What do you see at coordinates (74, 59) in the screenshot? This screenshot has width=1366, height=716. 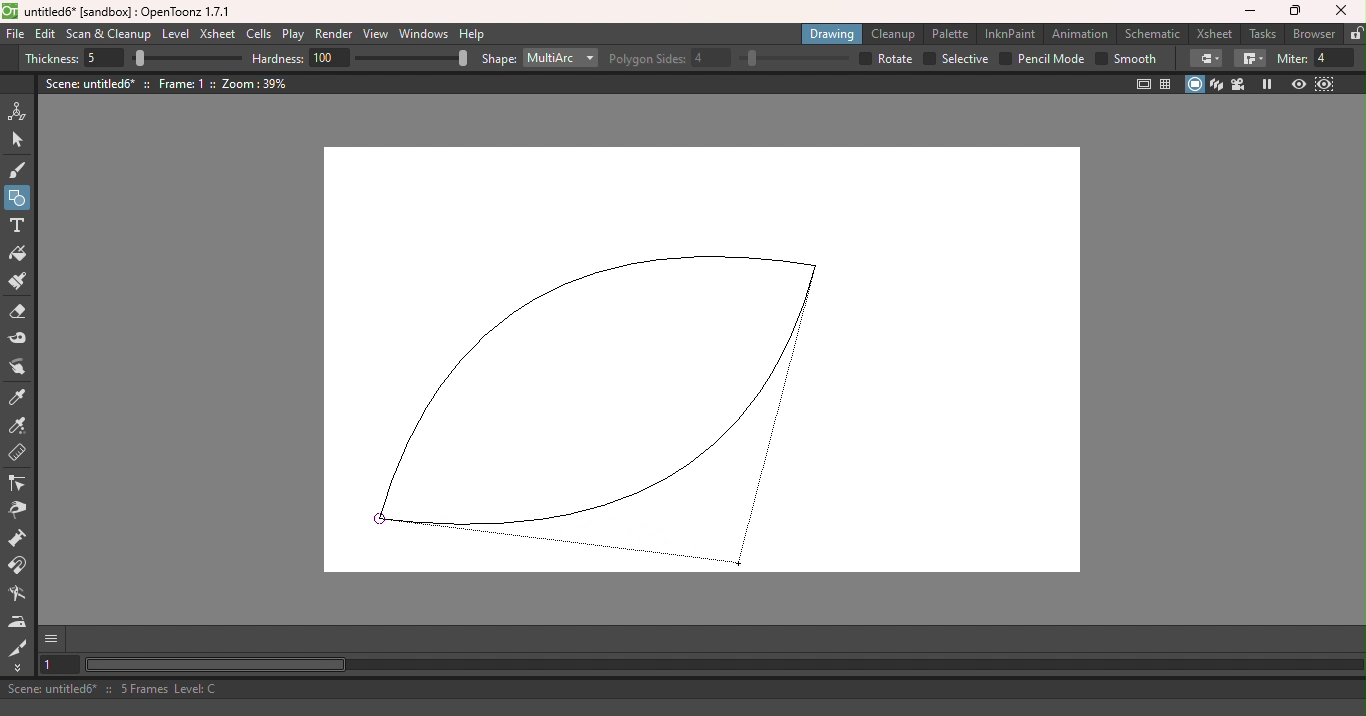 I see `Thickness` at bounding box center [74, 59].